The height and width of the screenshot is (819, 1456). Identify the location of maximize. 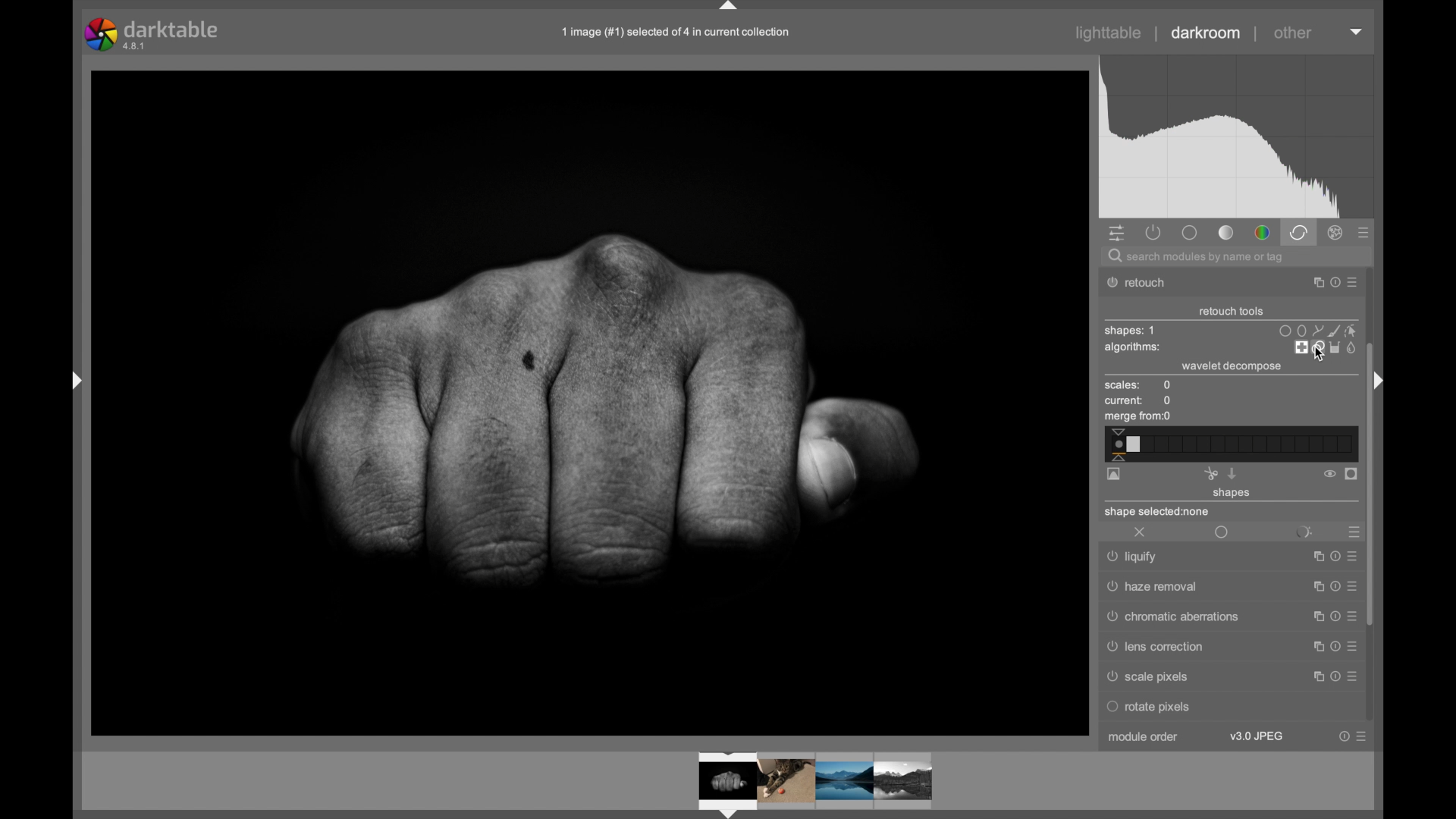
(1312, 283).